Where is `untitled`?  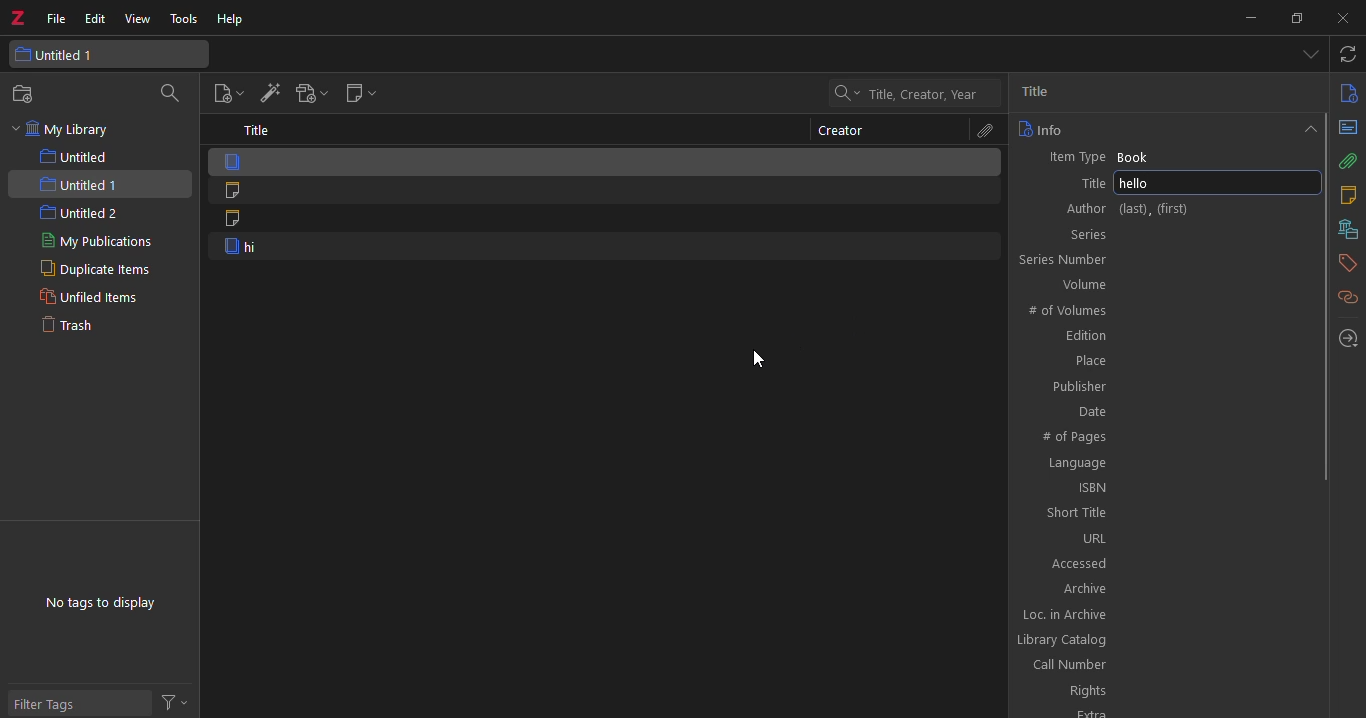 untitled is located at coordinates (109, 157).